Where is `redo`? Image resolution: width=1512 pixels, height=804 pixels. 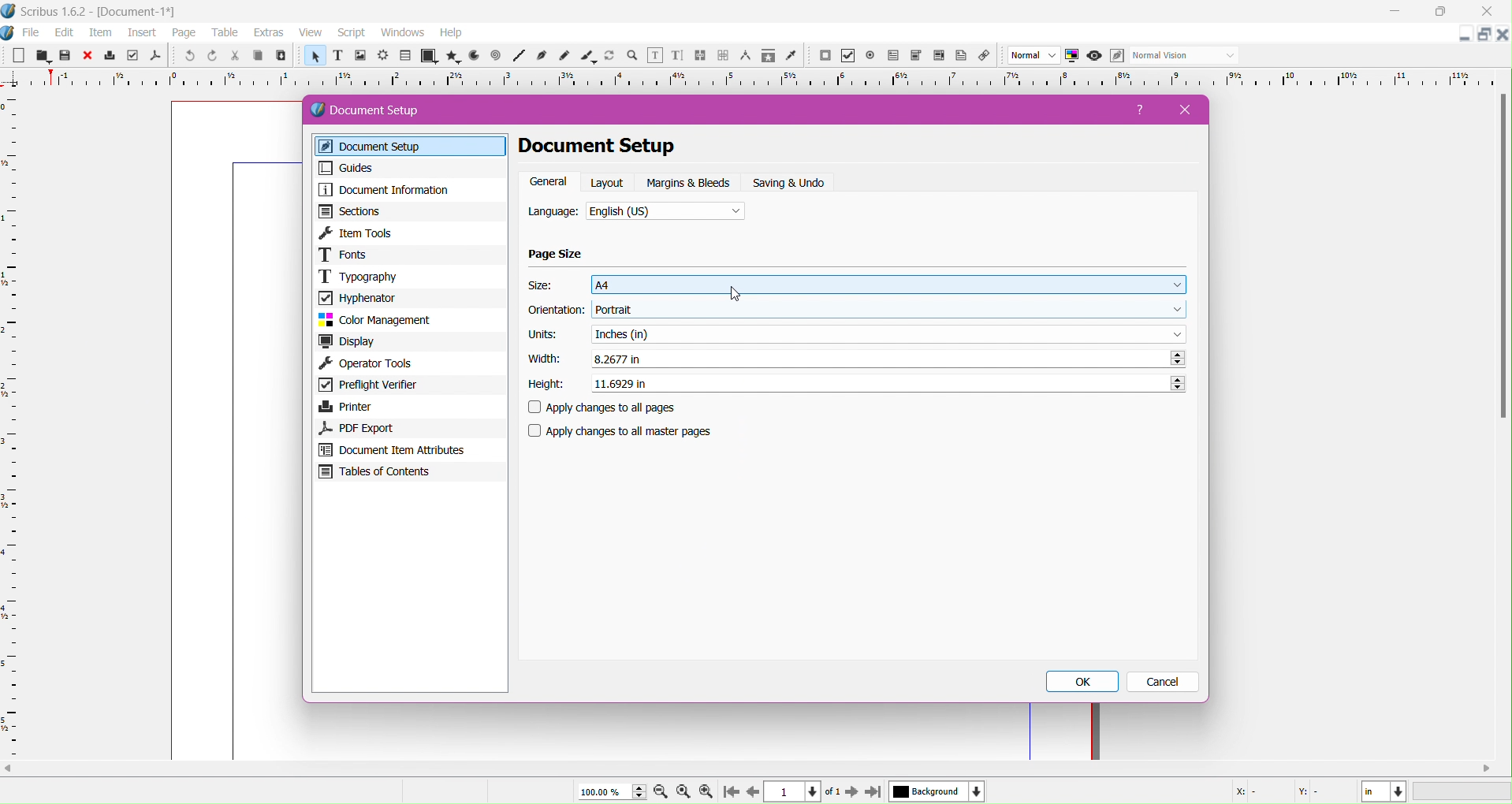 redo is located at coordinates (210, 56).